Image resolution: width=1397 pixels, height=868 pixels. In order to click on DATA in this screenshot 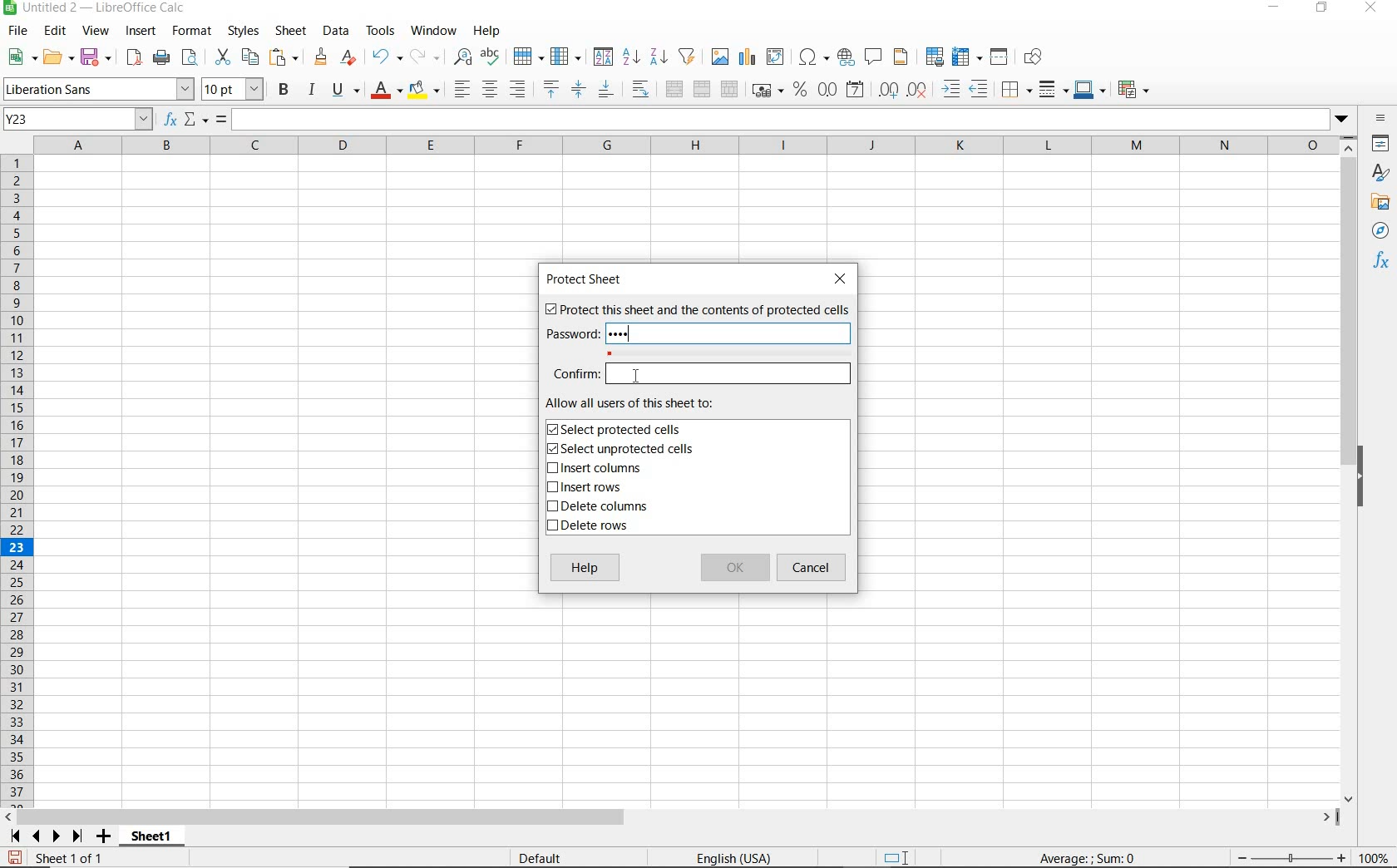, I will do `click(336, 32)`.